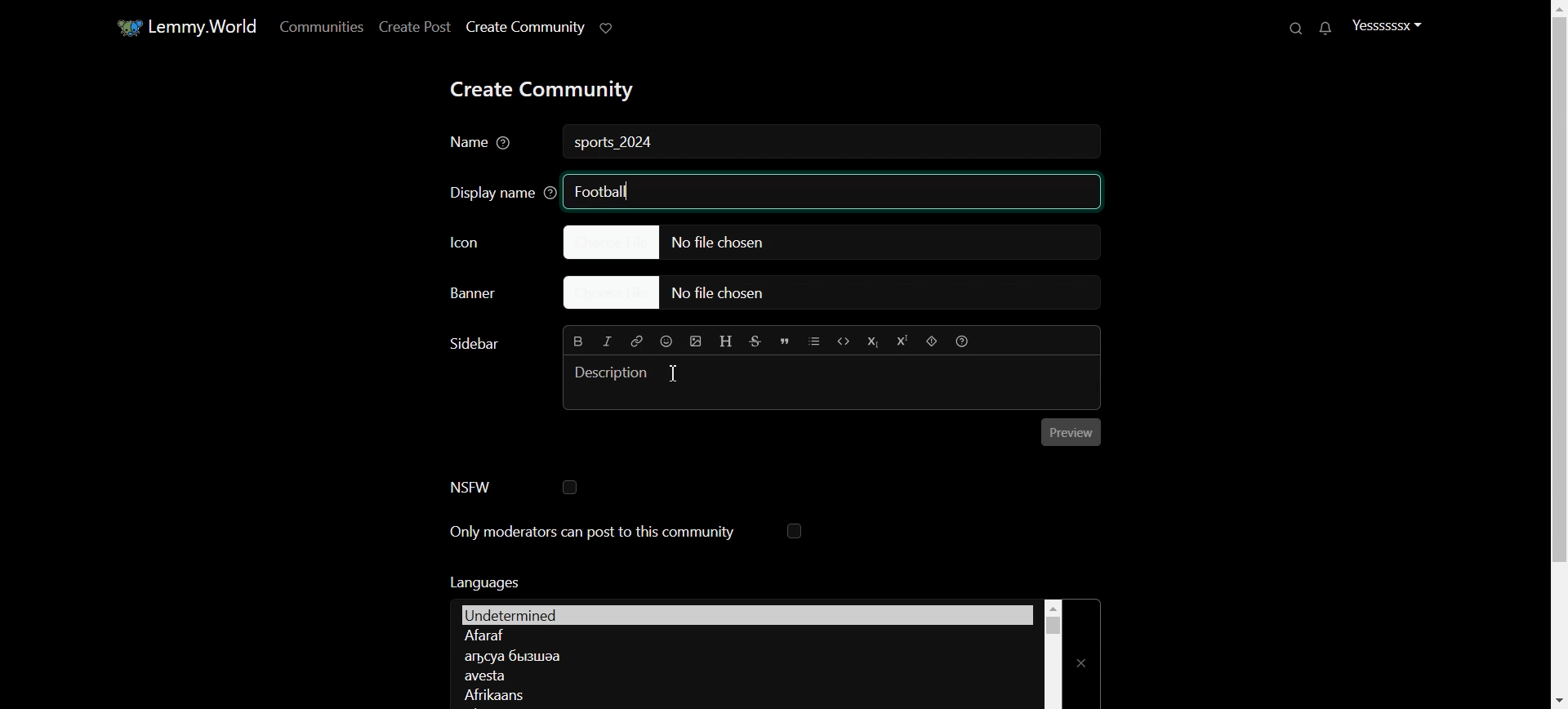  What do you see at coordinates (413, 26) in the screenshot?
I see `Create Post` at bounding box center [413, 26].